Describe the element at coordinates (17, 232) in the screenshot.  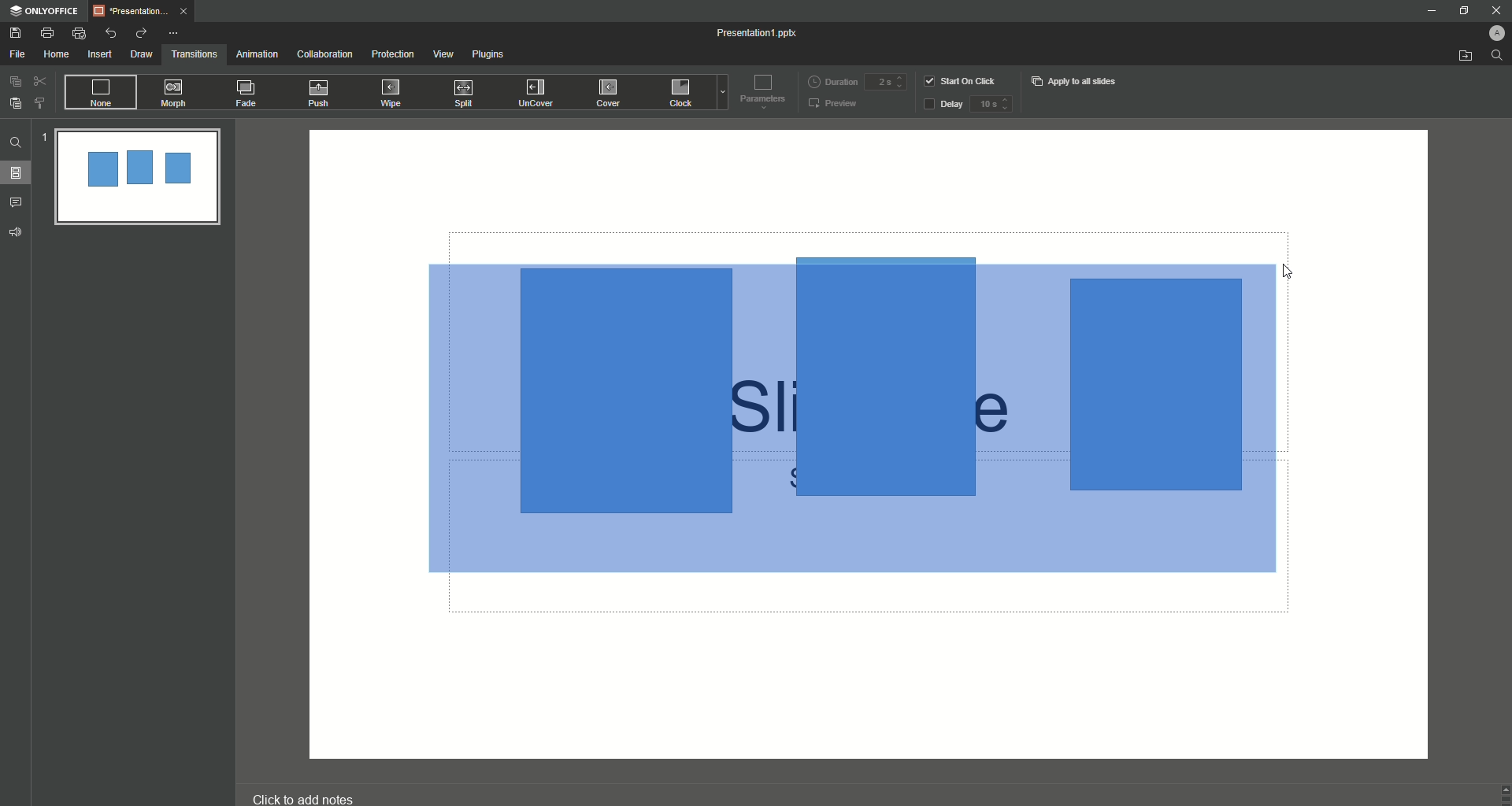
I see `Feedback` at that location.